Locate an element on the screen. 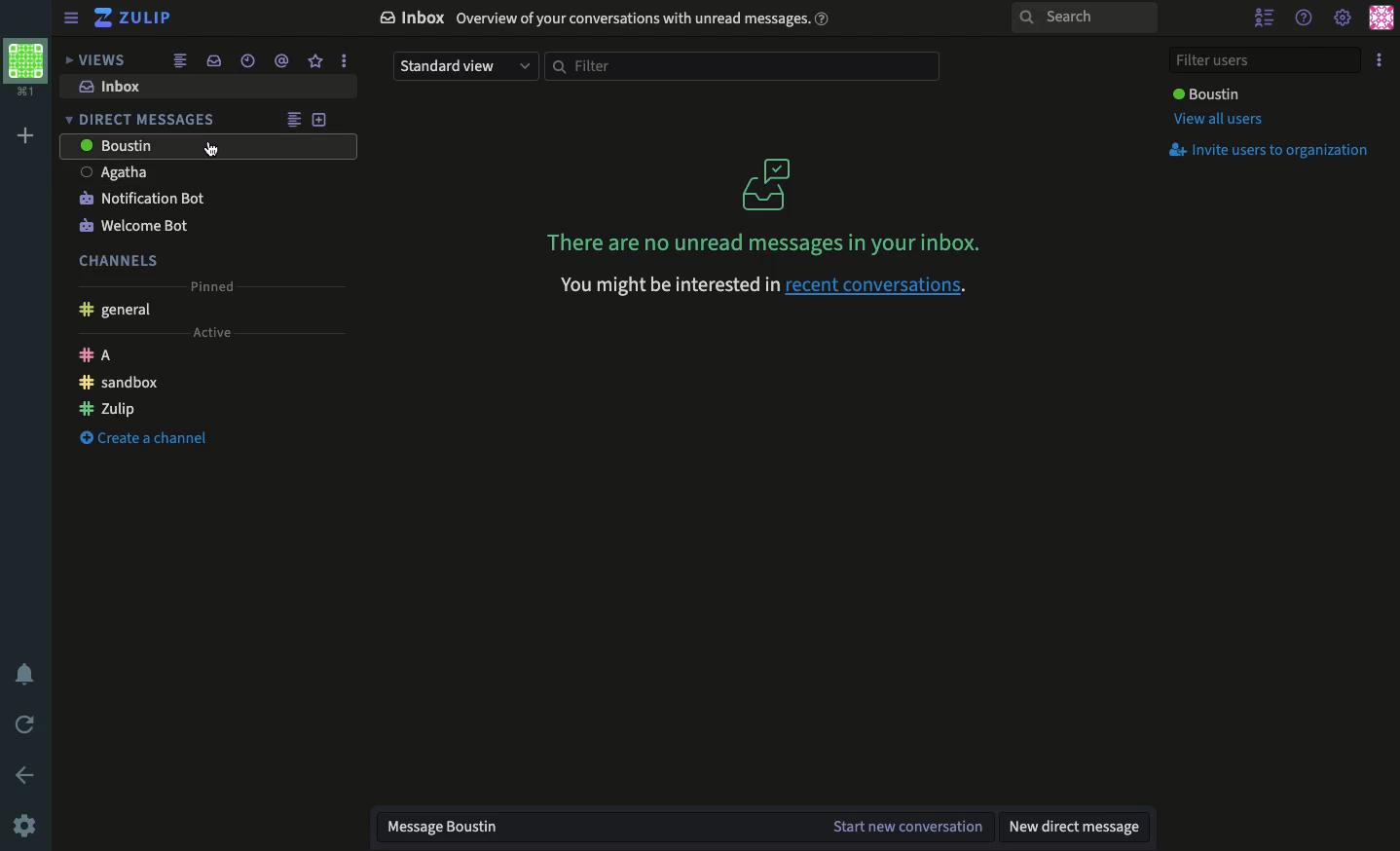 This screenshot has height=851, width=1400. Mouse Cursor is located at coordinates (213, 145).